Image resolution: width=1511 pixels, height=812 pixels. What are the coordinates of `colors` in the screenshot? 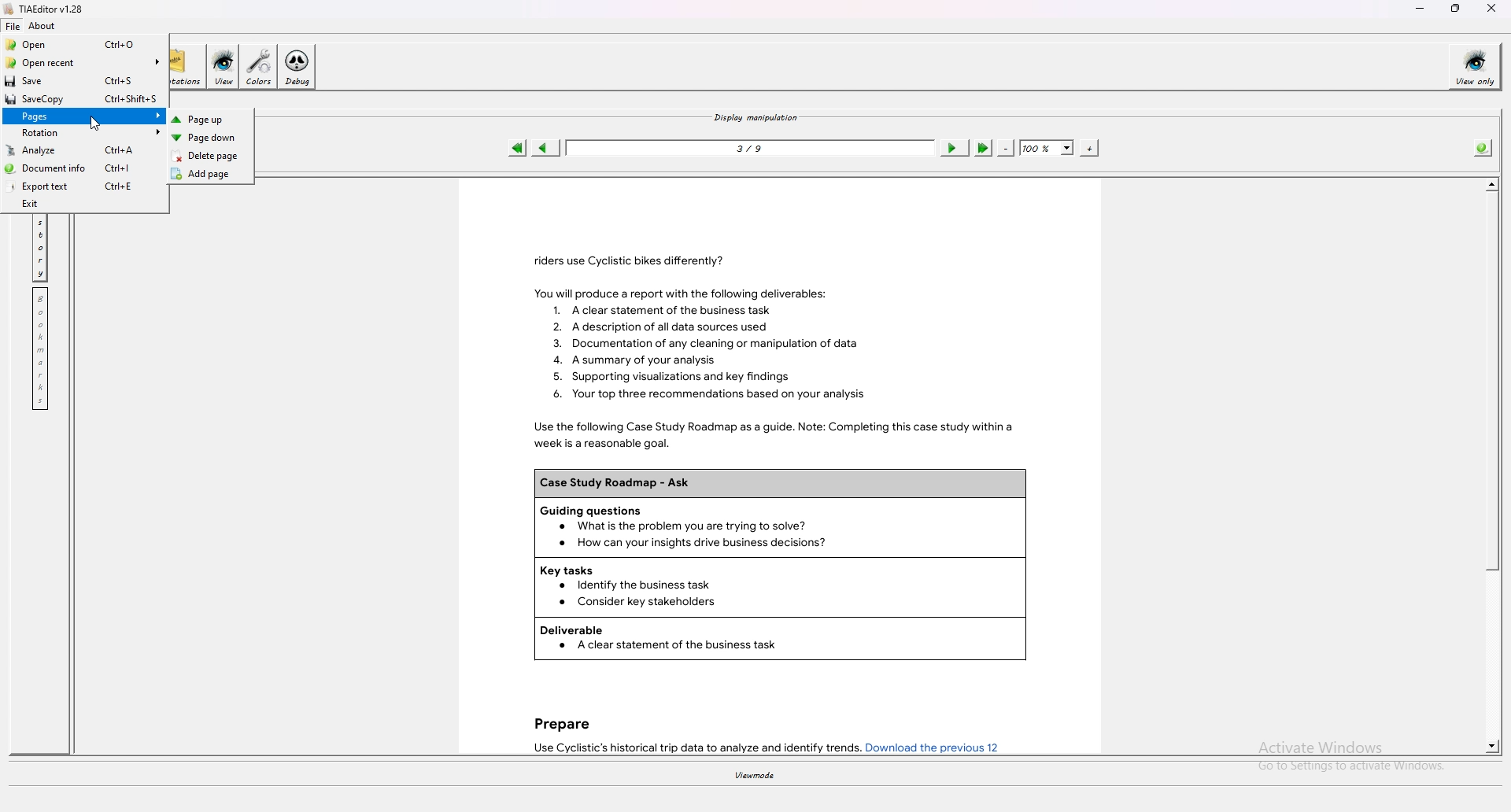 It's located at (257, 67).